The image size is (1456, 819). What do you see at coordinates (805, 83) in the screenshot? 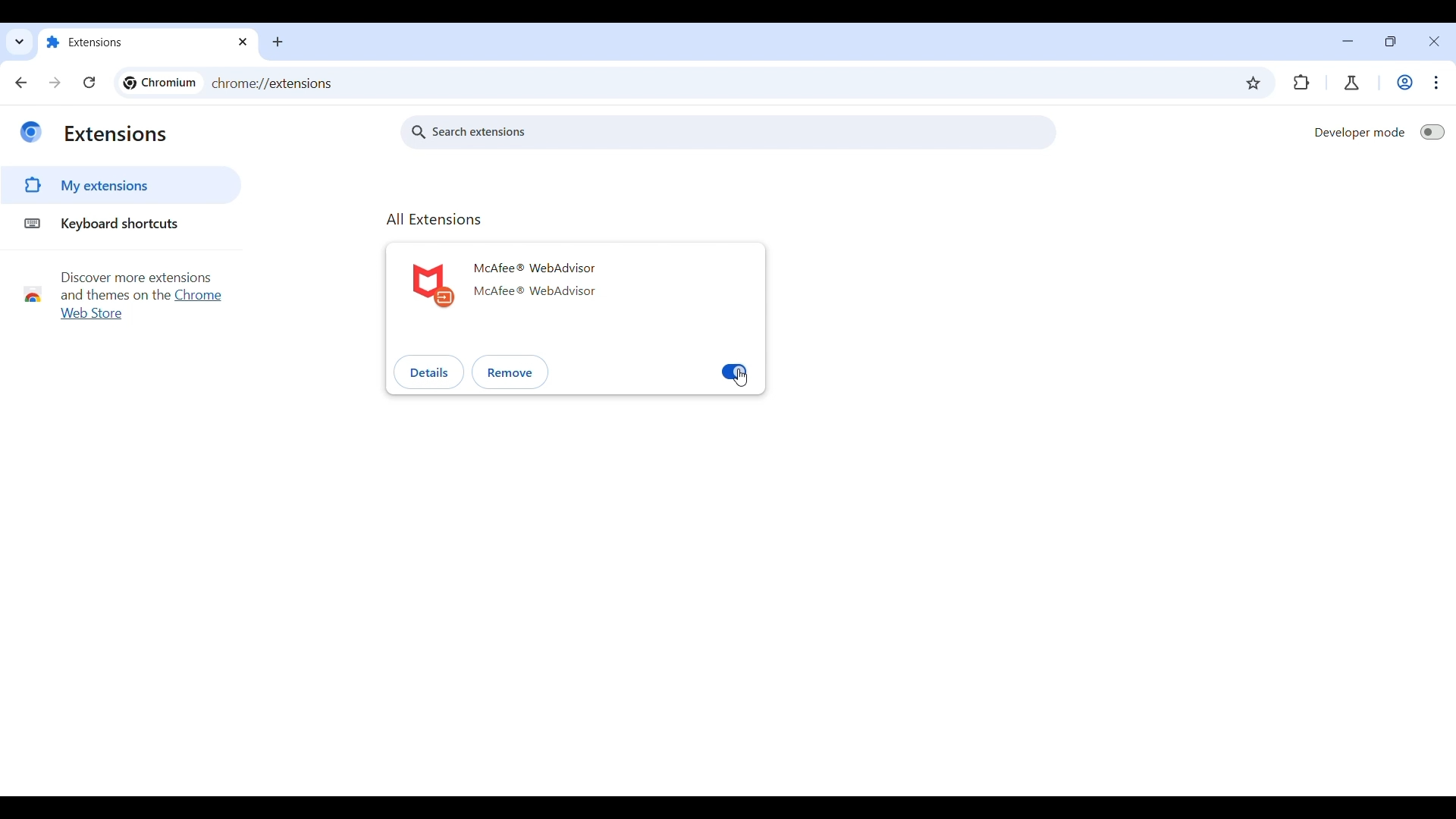
I see `Search Google or enter web link` at bounding box center [805, 83].